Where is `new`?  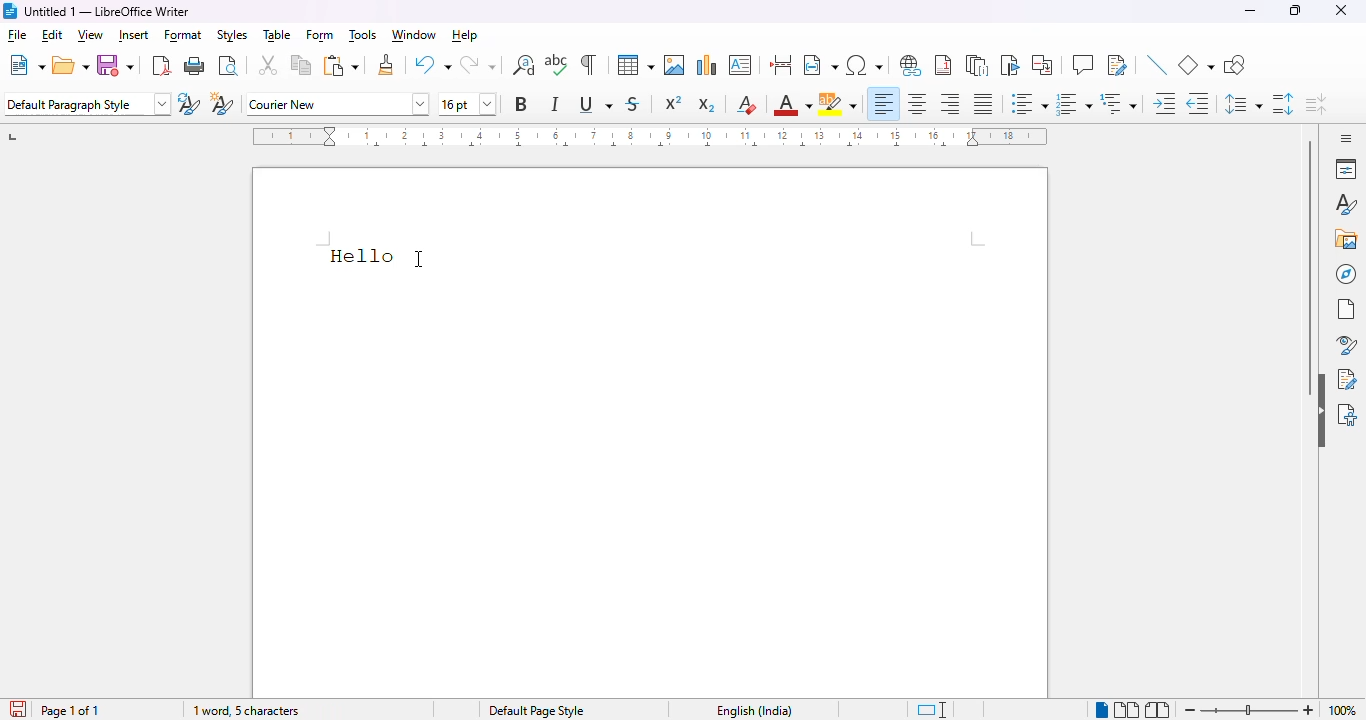 new is located at coordinates (27, 64).